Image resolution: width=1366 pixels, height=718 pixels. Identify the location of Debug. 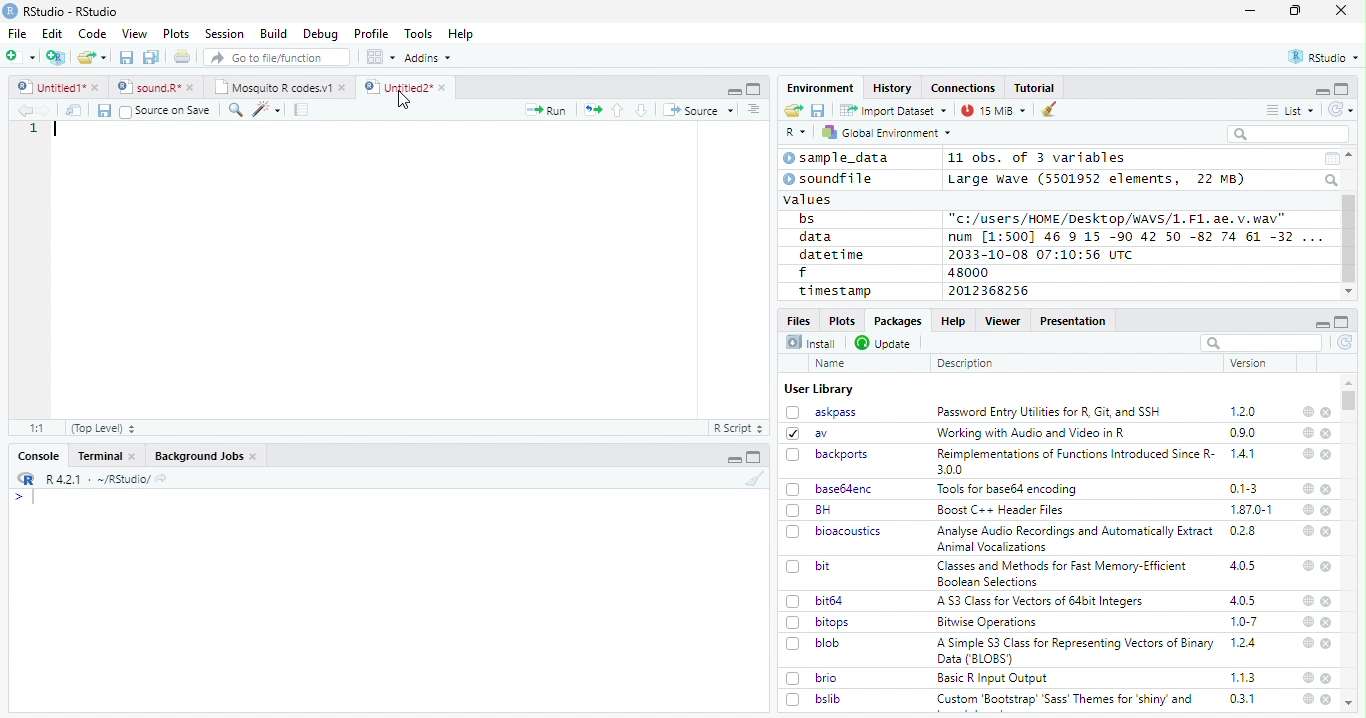
(321, 34).